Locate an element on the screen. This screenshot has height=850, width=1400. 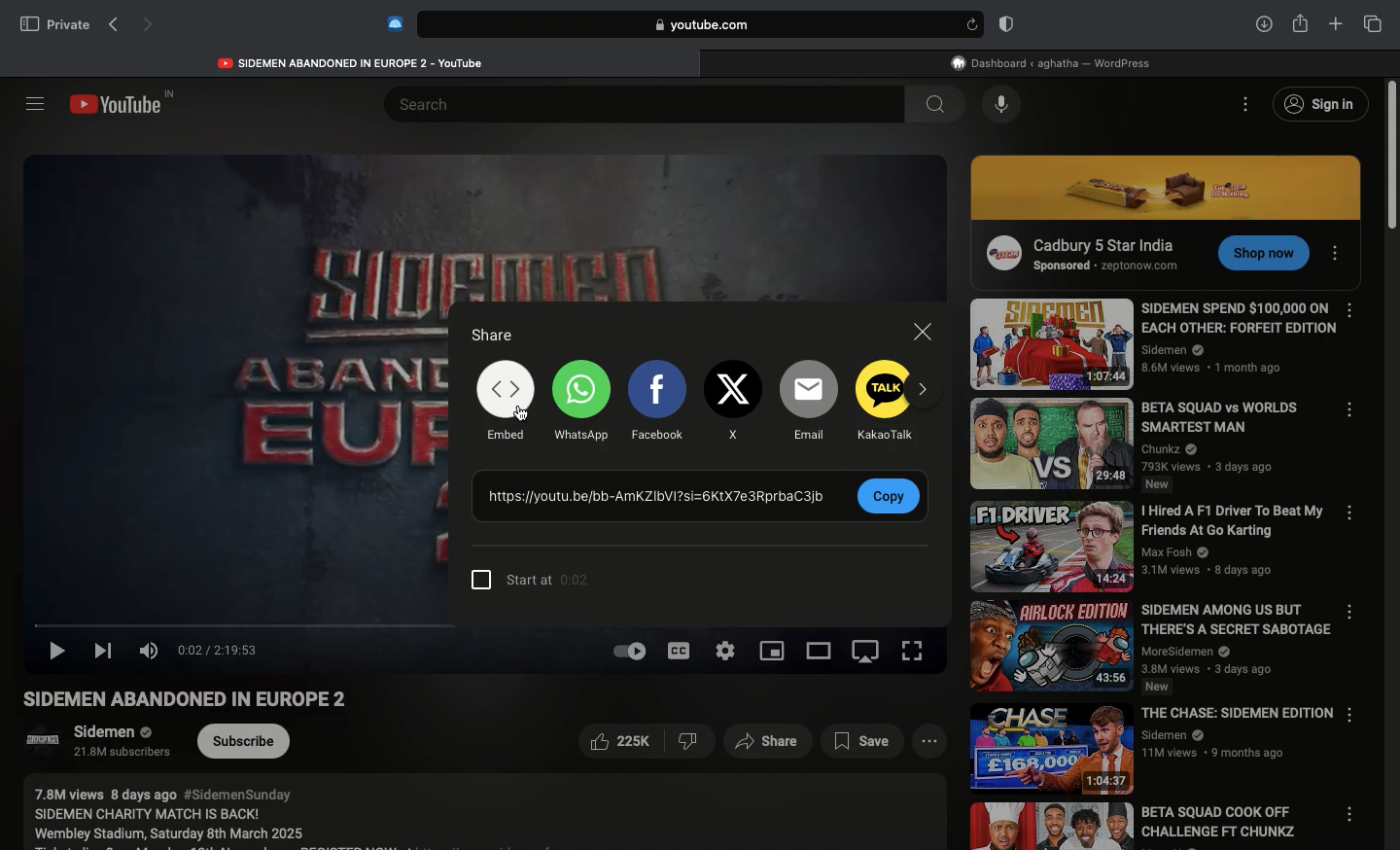
Description is located at coordinates (477, 812).